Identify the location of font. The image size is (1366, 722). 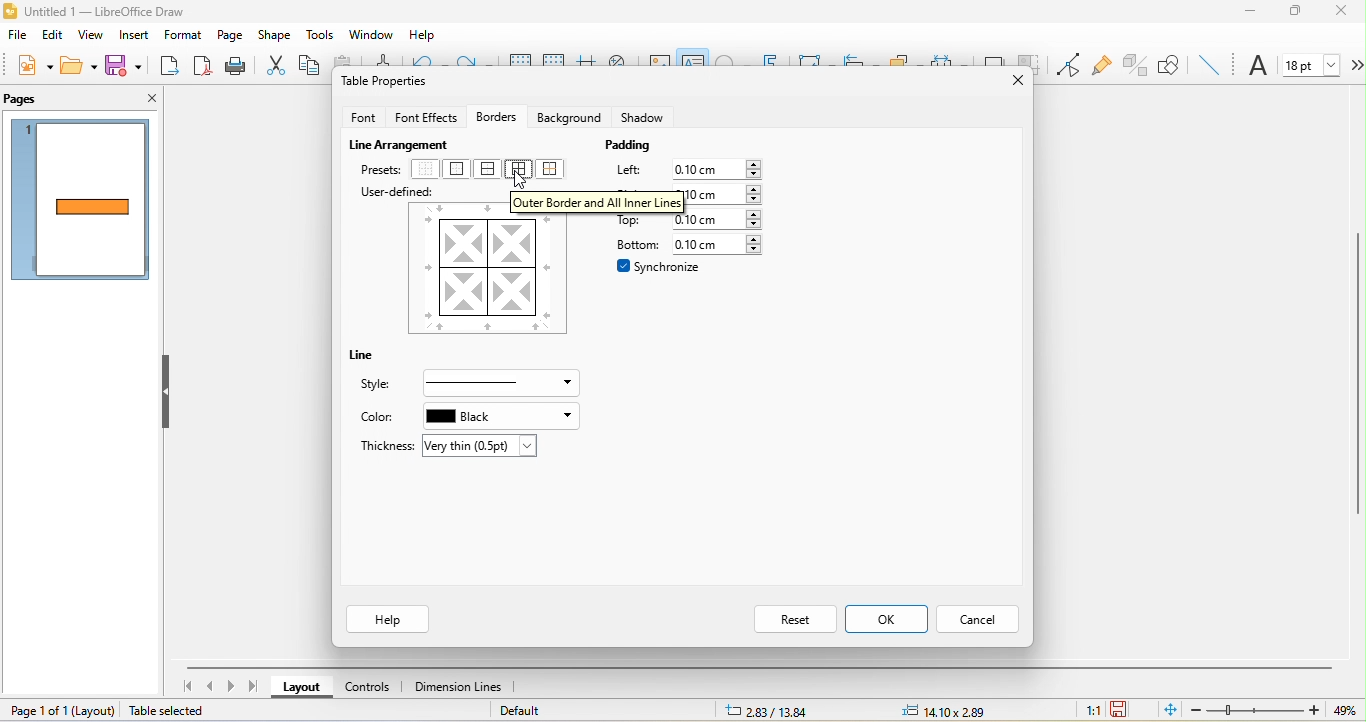
(362, 115).